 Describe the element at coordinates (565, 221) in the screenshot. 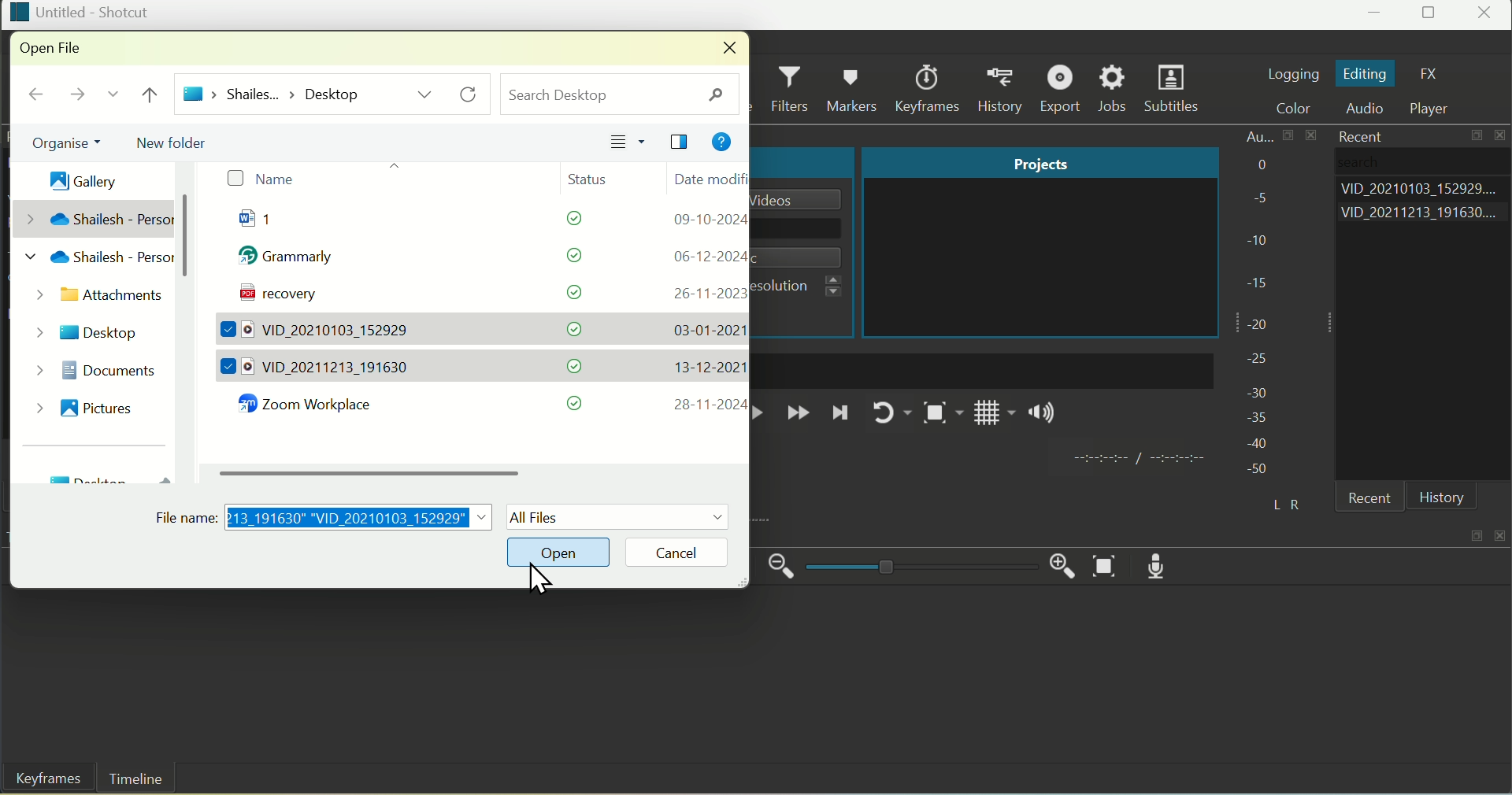

I see `status` at that location.